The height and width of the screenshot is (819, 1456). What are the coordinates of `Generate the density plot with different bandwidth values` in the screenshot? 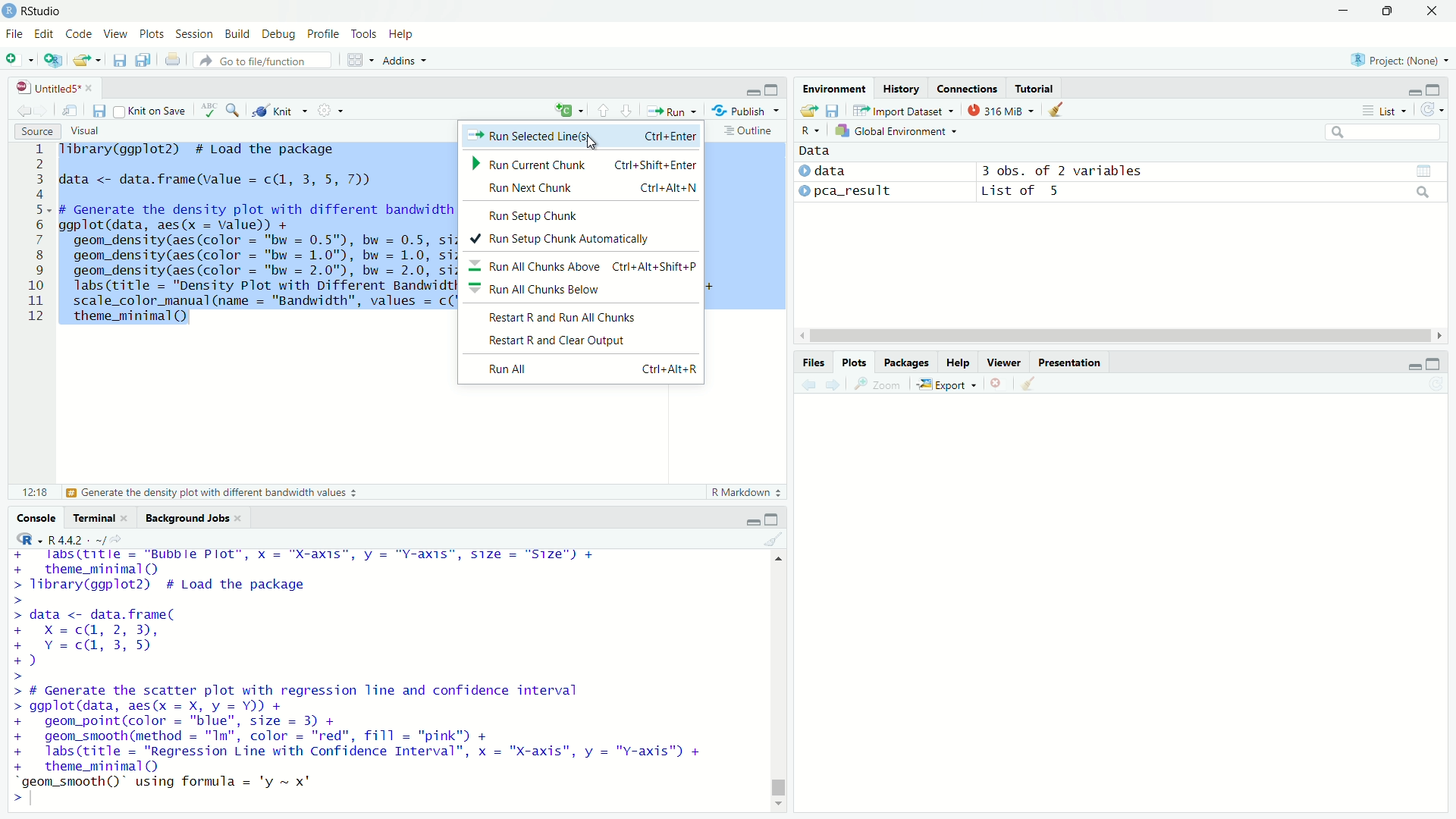 It's located at (210, 493).